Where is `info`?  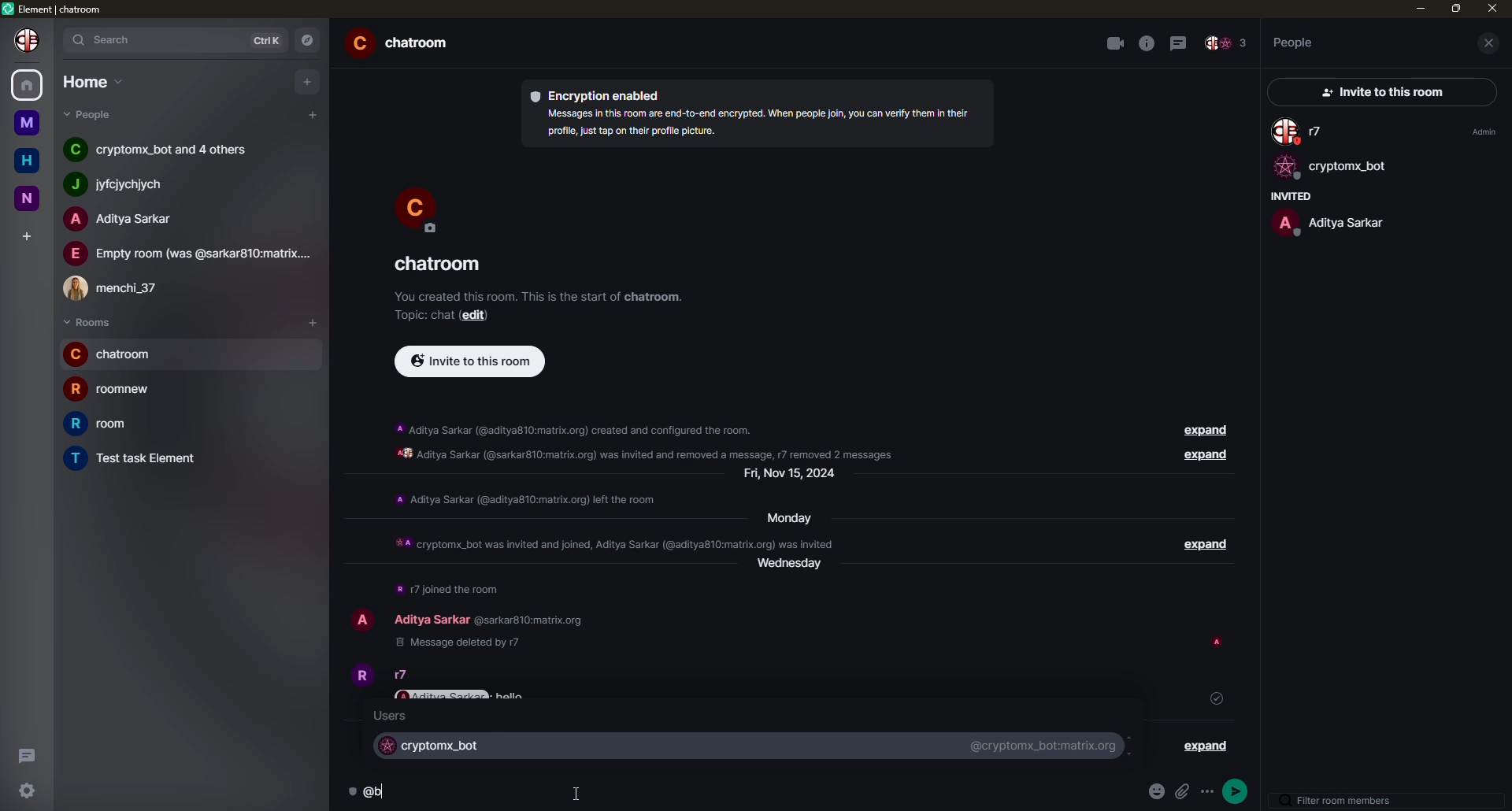
info is located at coordinates (526, 499).